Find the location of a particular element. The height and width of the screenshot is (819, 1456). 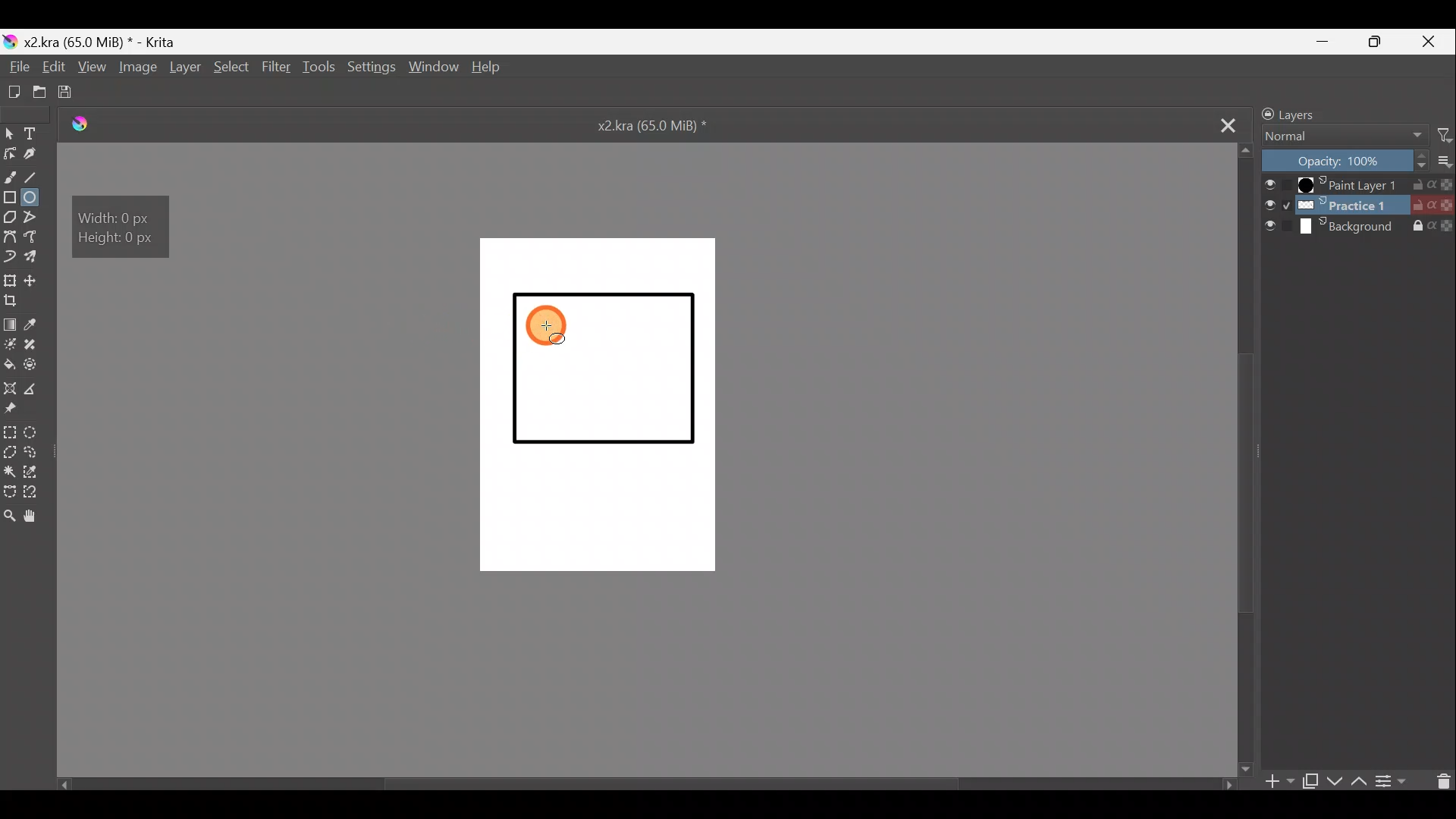

Similar colour selection tool is located at coordinates (34, 472).